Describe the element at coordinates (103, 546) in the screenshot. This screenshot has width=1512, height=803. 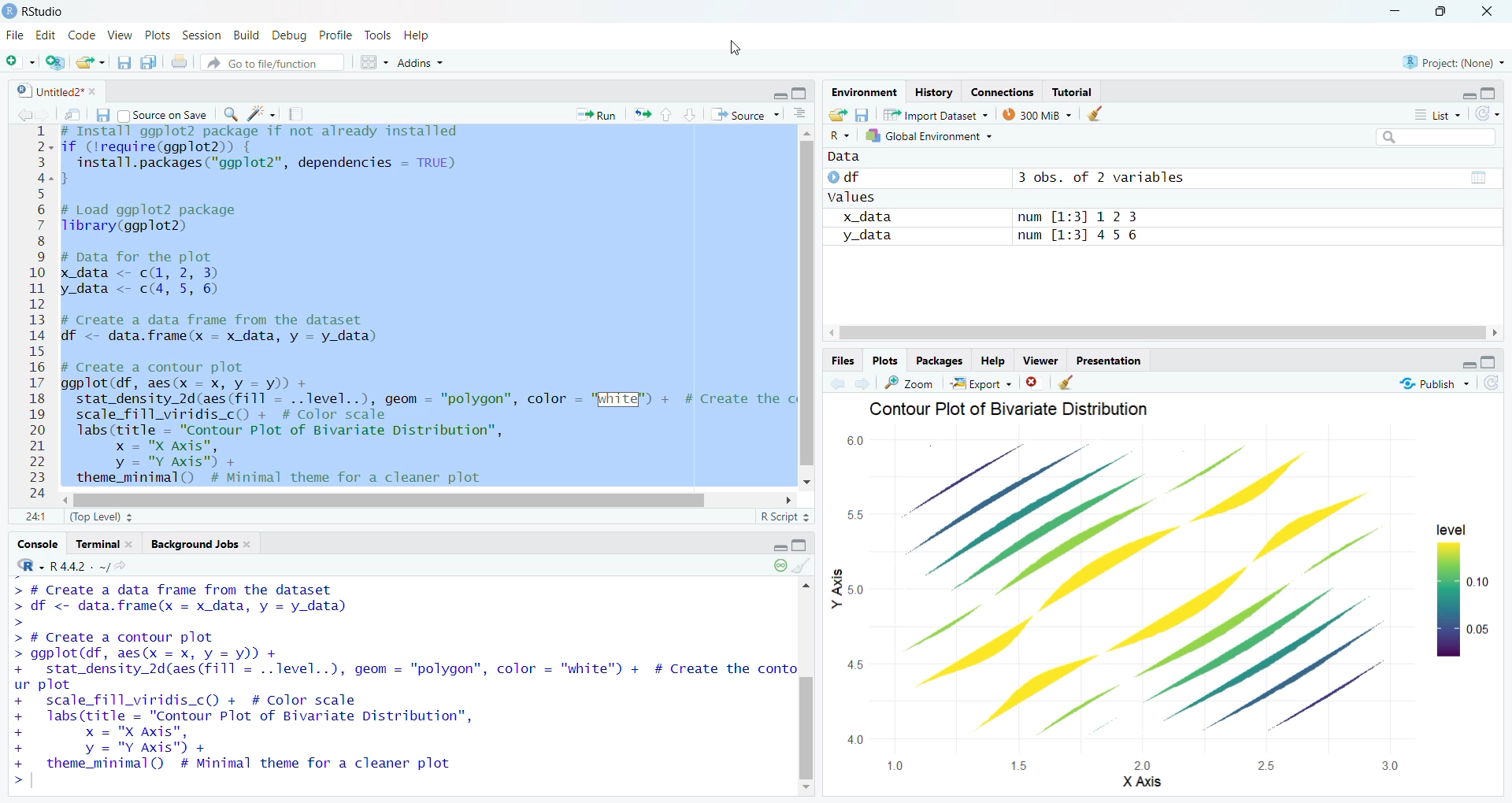
I see `terminal` at that location.